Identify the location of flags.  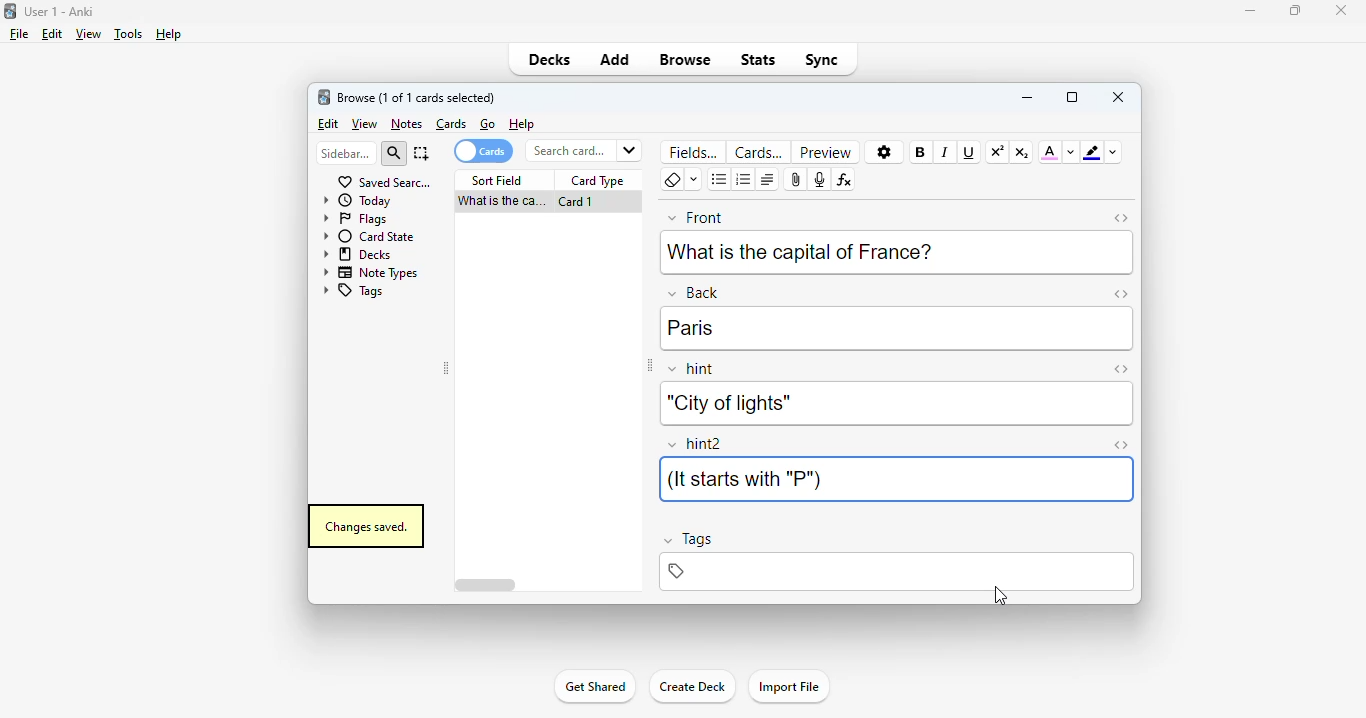
(353, 218).